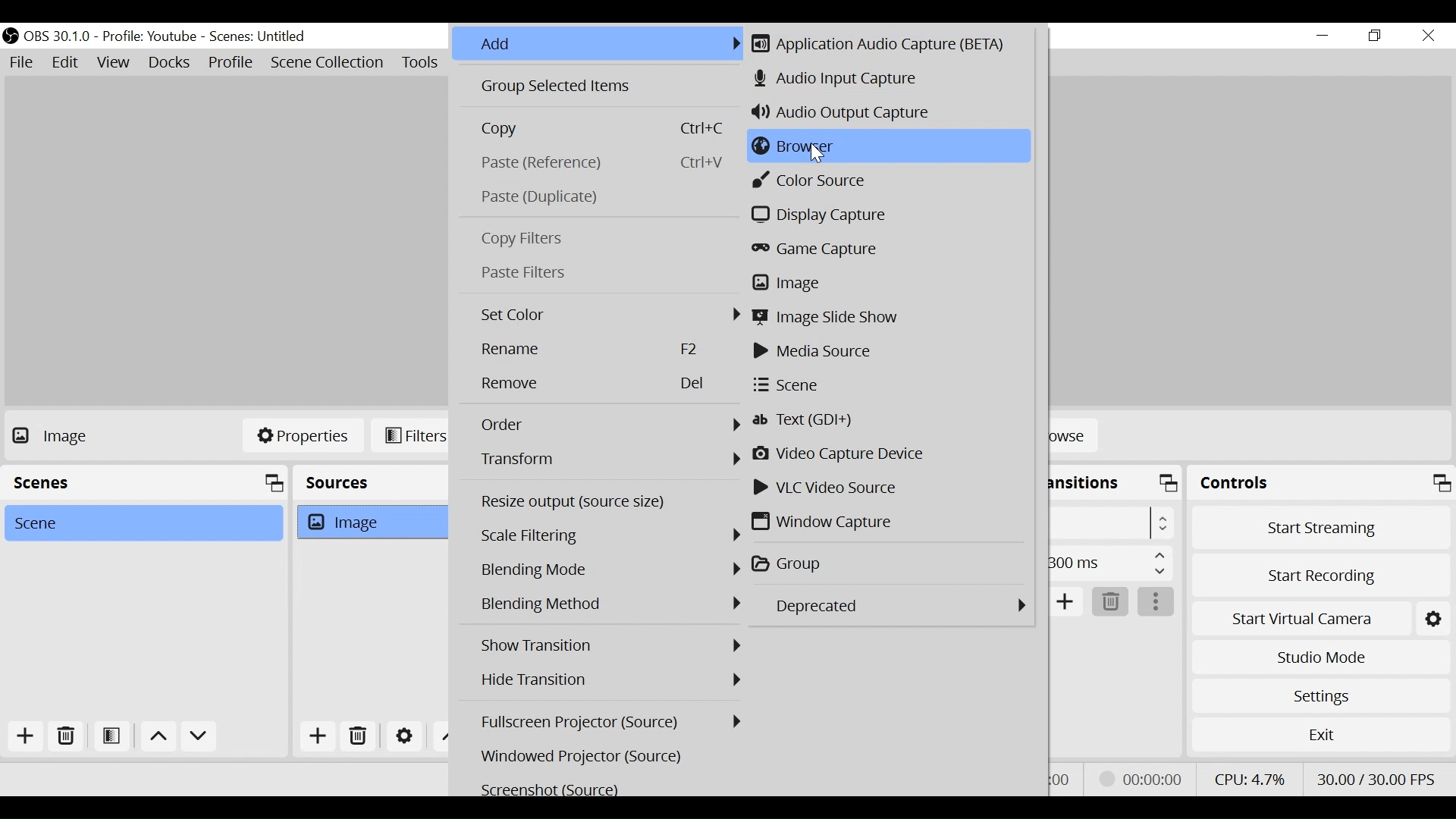 This screenshot has height=819, width=1456. I want to click on Recording Status, so click(1143, 779).